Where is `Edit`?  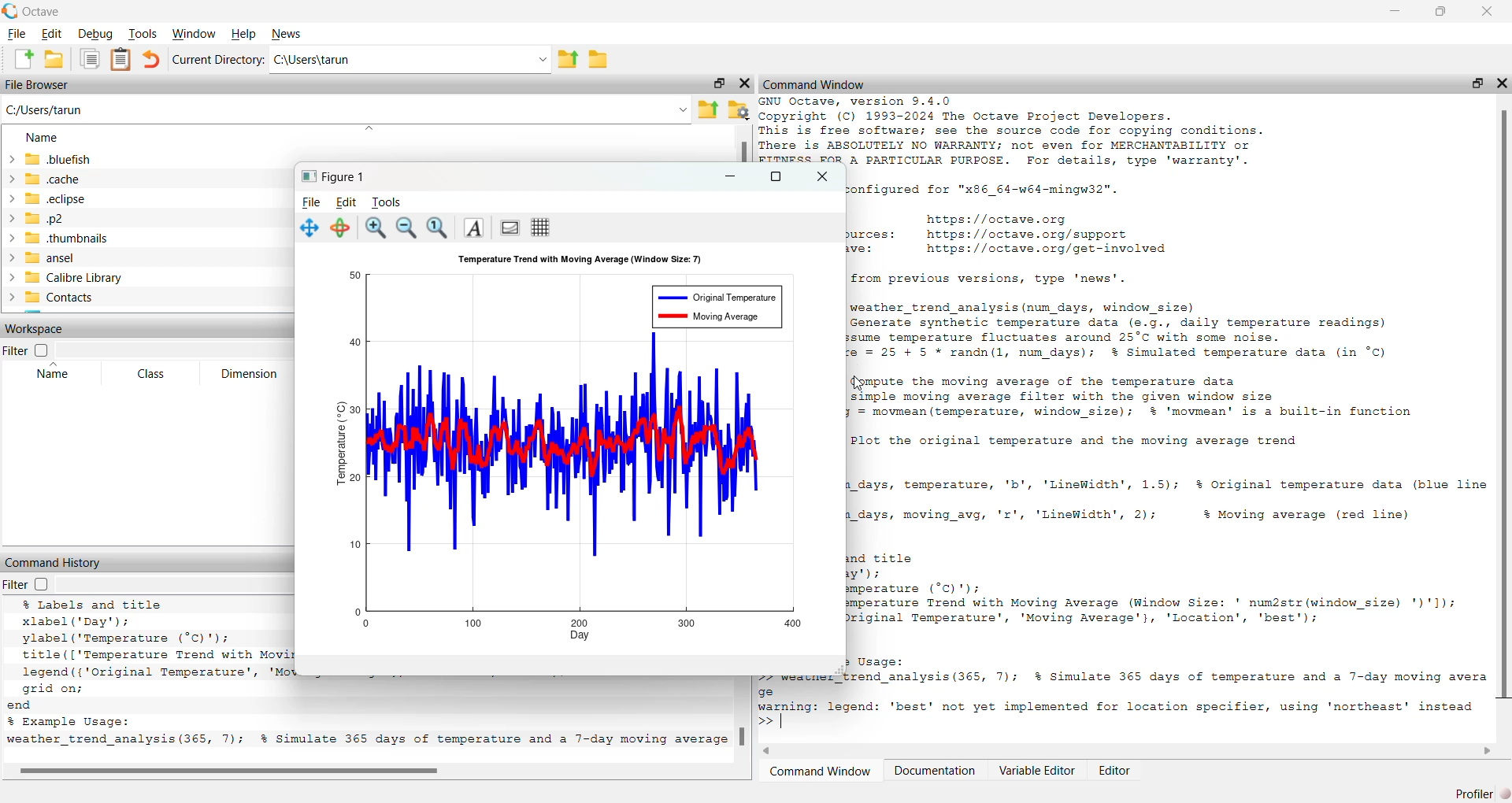
Edit is located at coordinates (51, 35).